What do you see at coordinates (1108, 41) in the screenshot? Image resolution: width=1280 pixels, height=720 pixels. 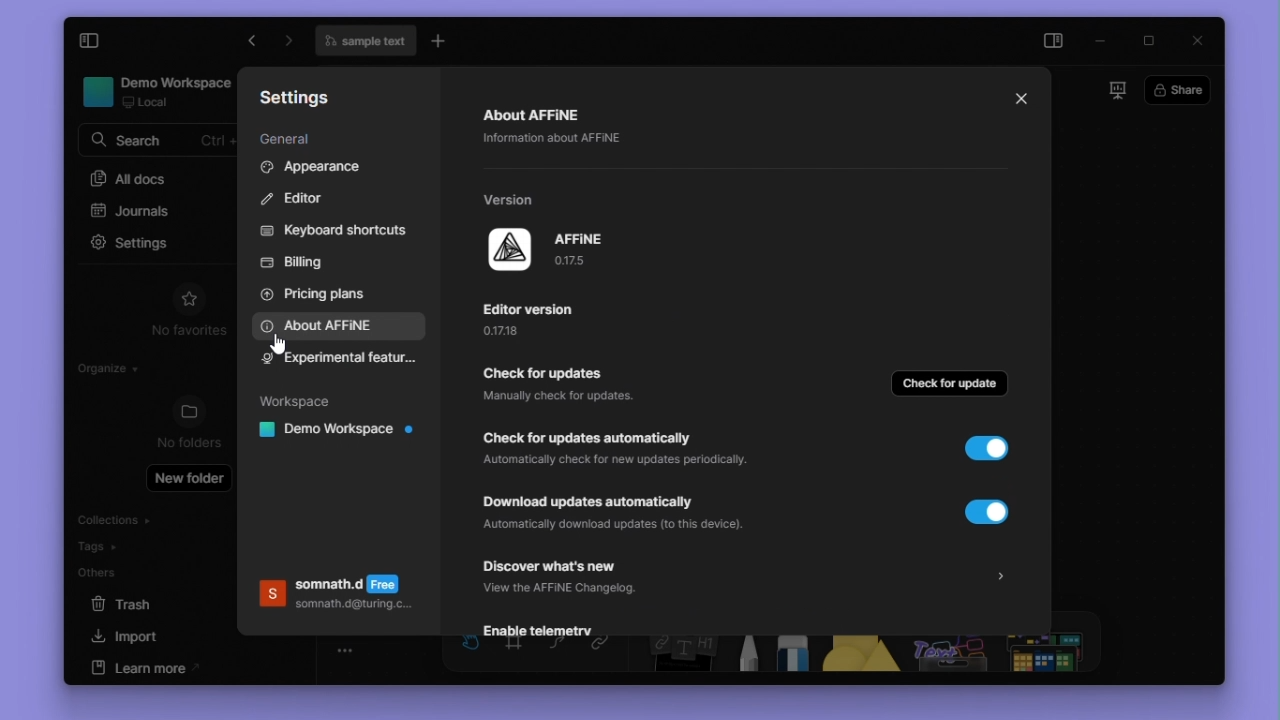 I see `minimize` at bounding box center [1108, 41].